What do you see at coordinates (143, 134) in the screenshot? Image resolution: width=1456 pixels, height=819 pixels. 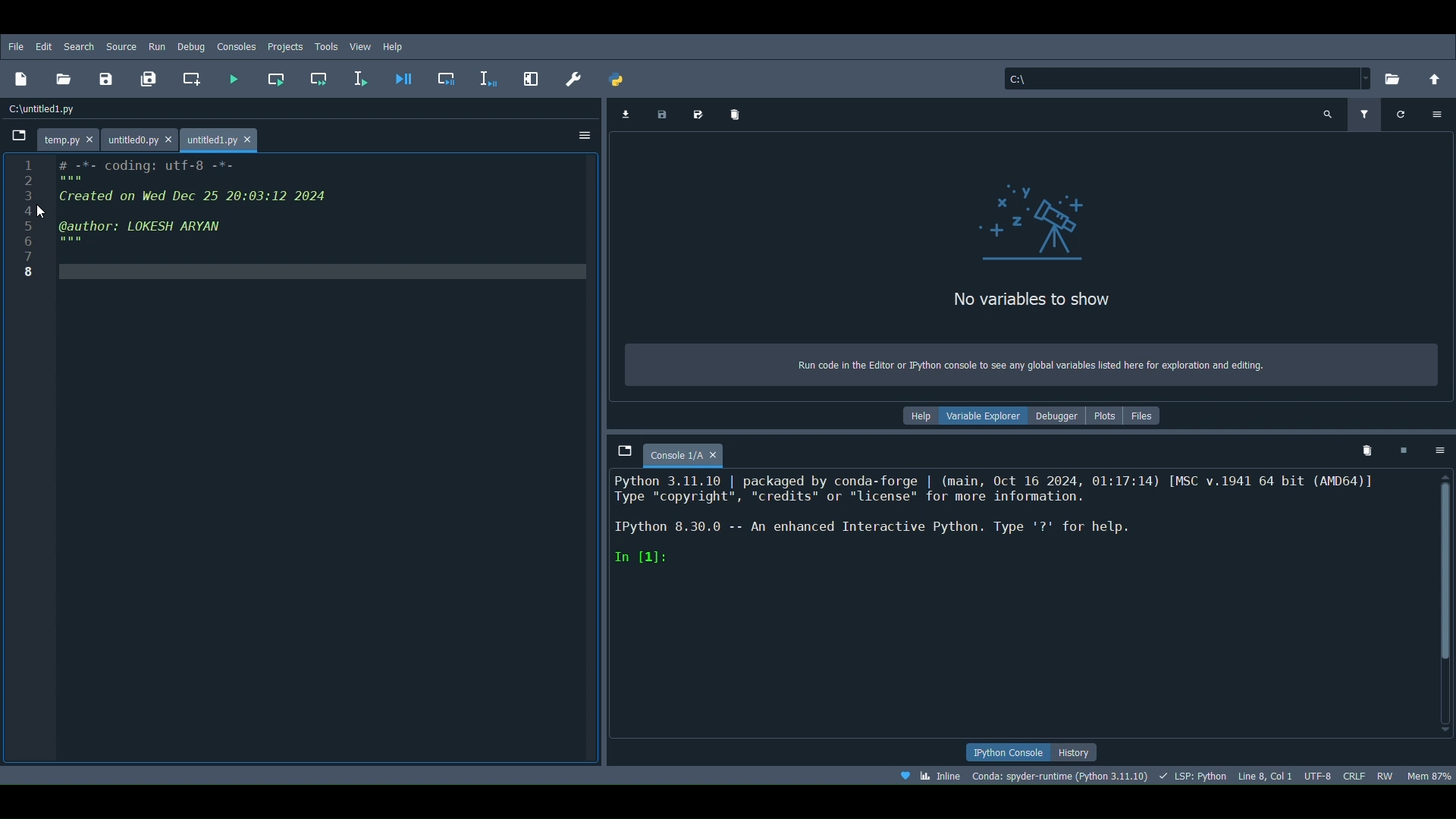 I see `untitled0.py` at bounding box center [143, 134].